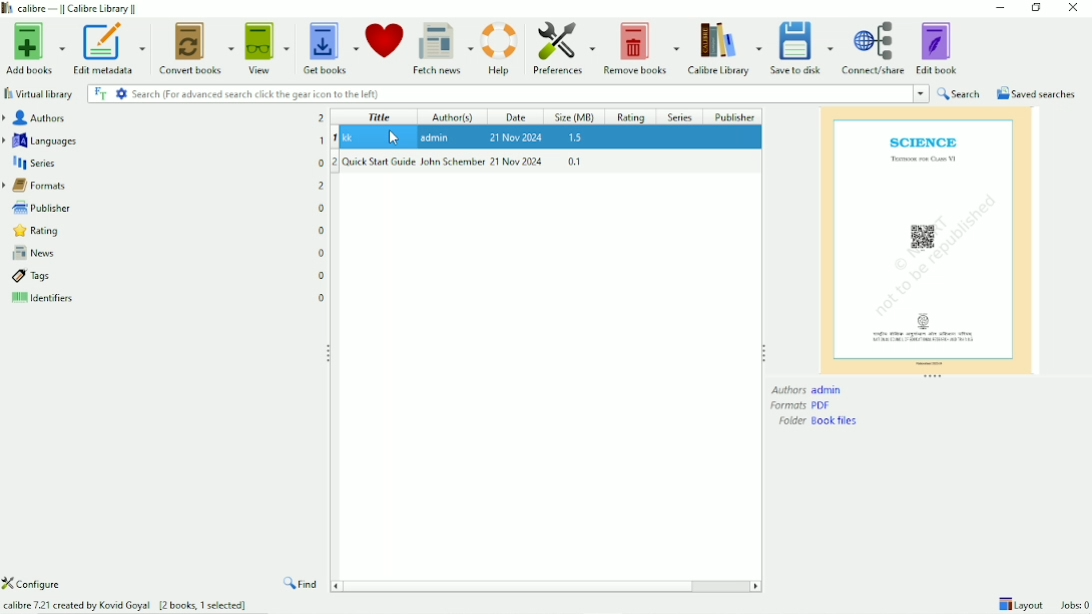 The height and width of the screenshot is (614, 1092). Describe the element at coordinates (385, 45) in the screenshot. I see `Donate` at that location.